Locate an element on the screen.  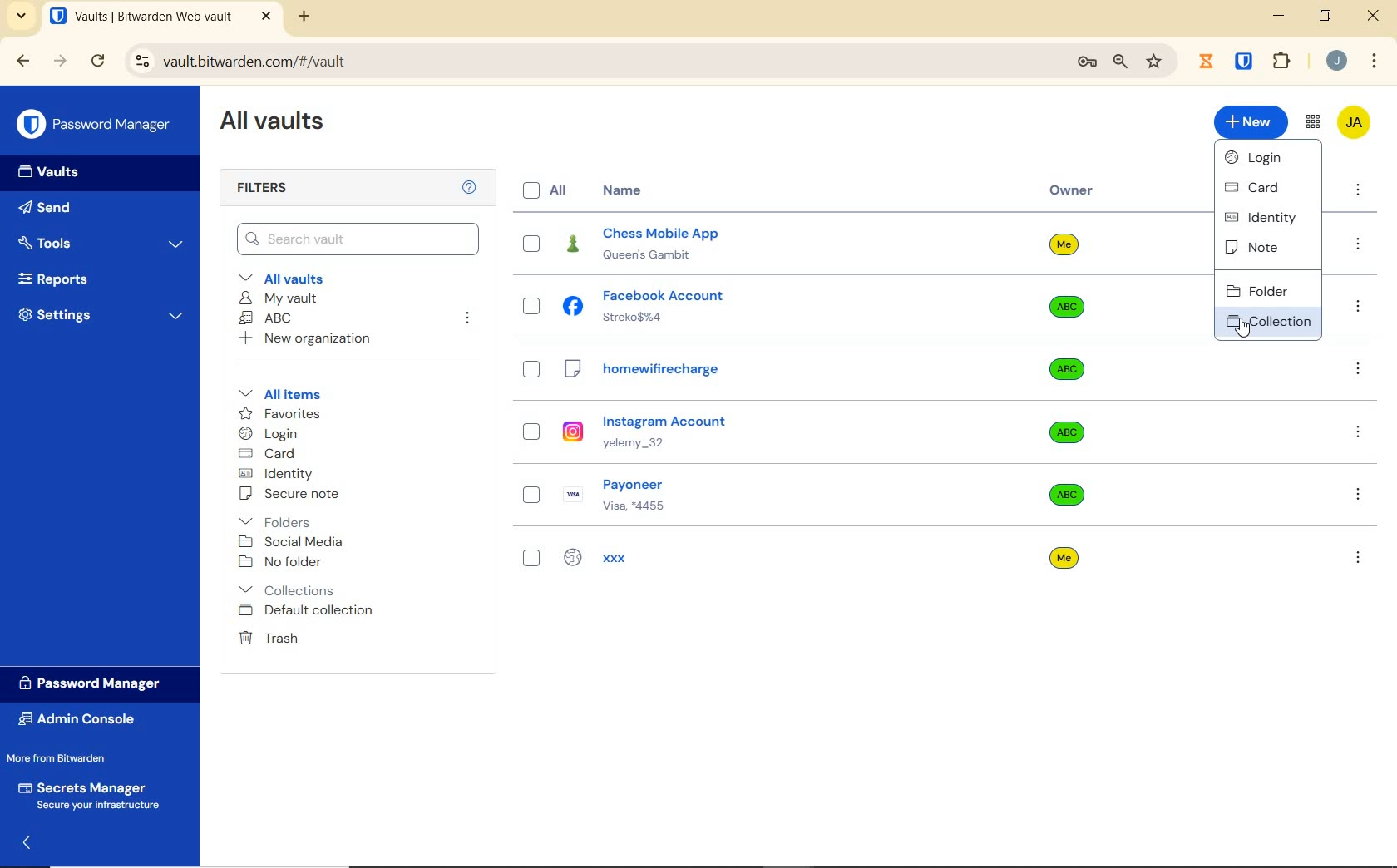
Search Vault is located at coordinates (359, 239).